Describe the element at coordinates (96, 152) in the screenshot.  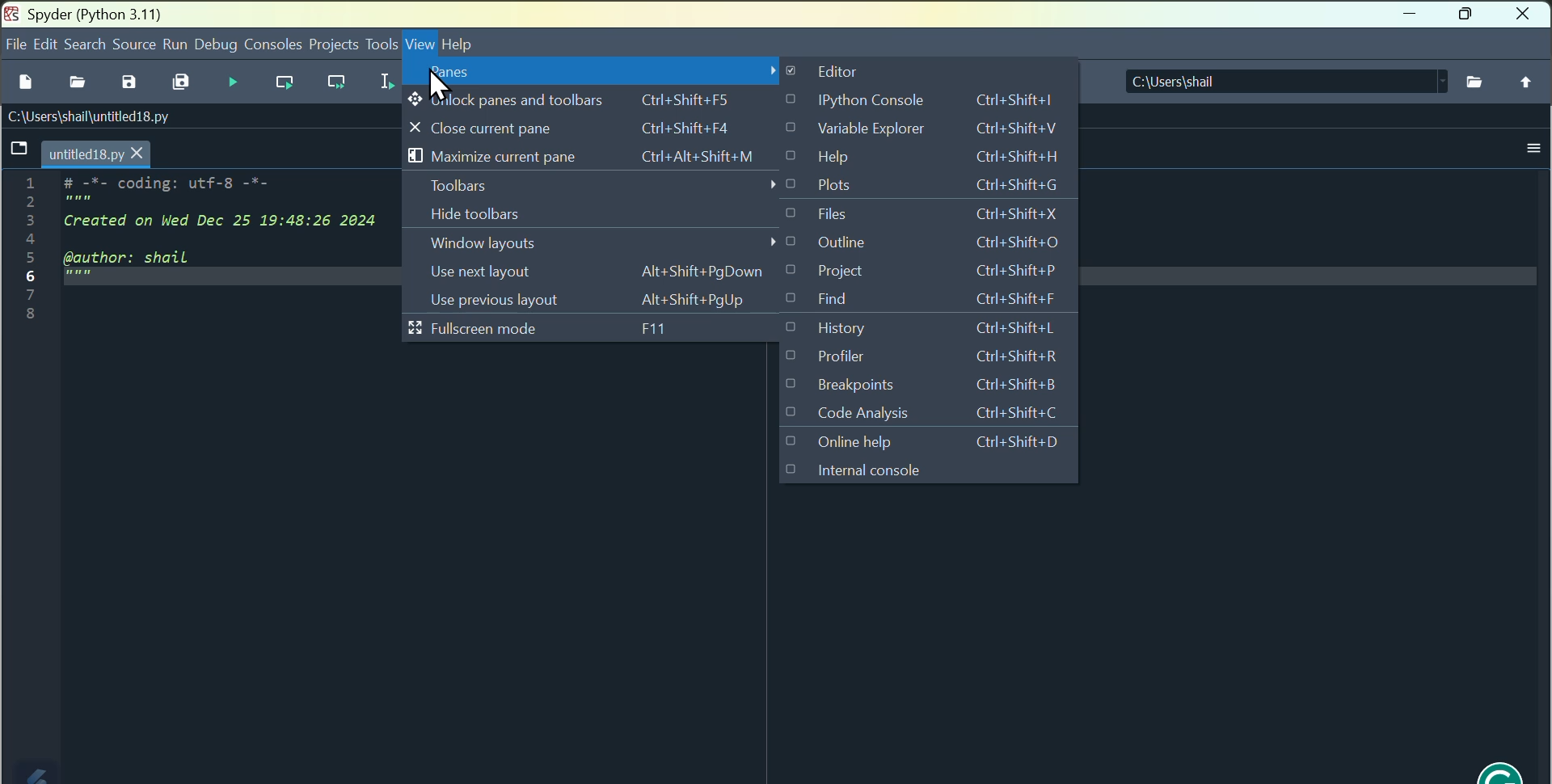
I see `untitled18.Py` at that location.